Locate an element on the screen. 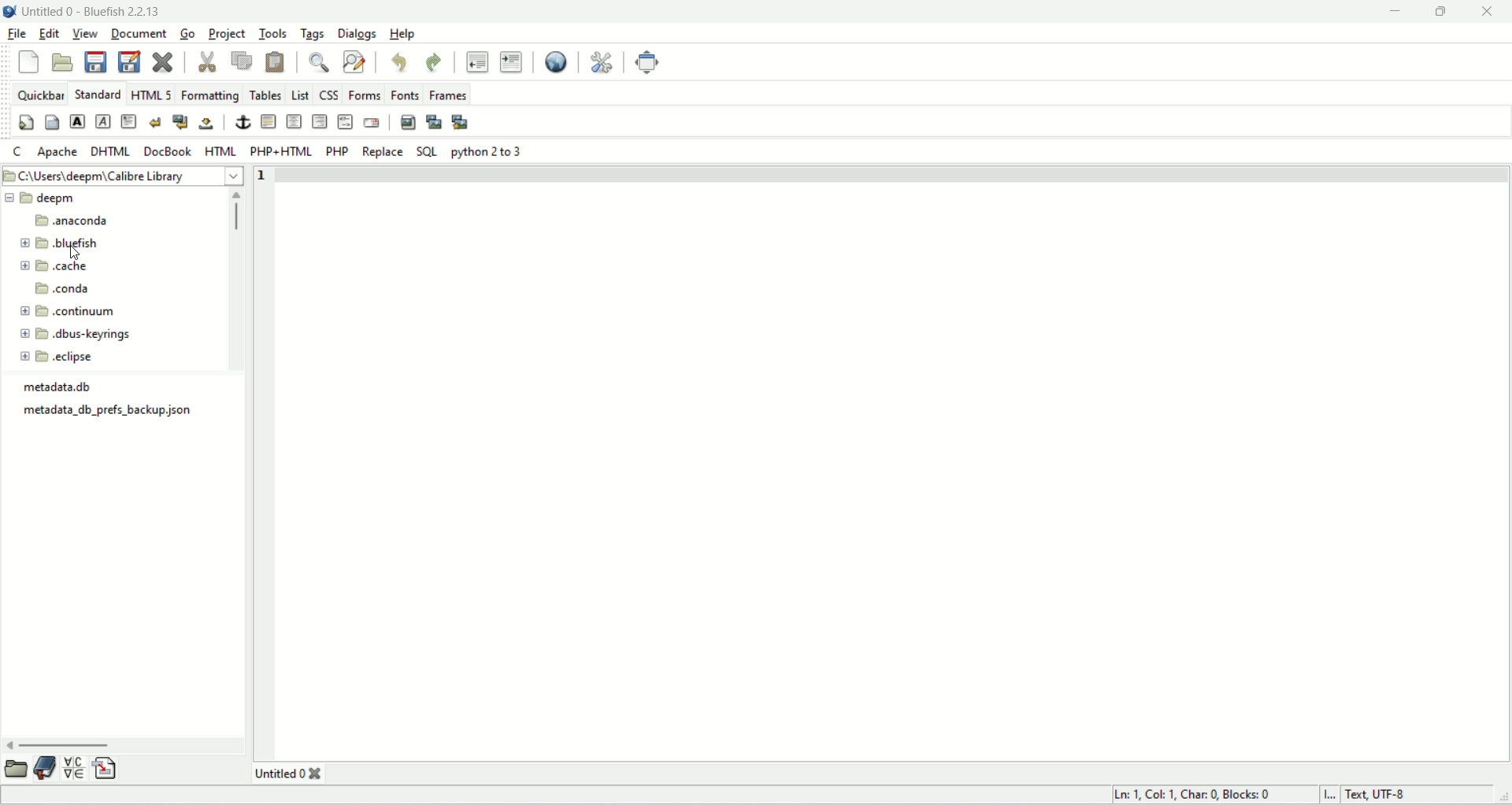 The image size is (1512, 805). non-breaking space is located at coordinates (209, 123).